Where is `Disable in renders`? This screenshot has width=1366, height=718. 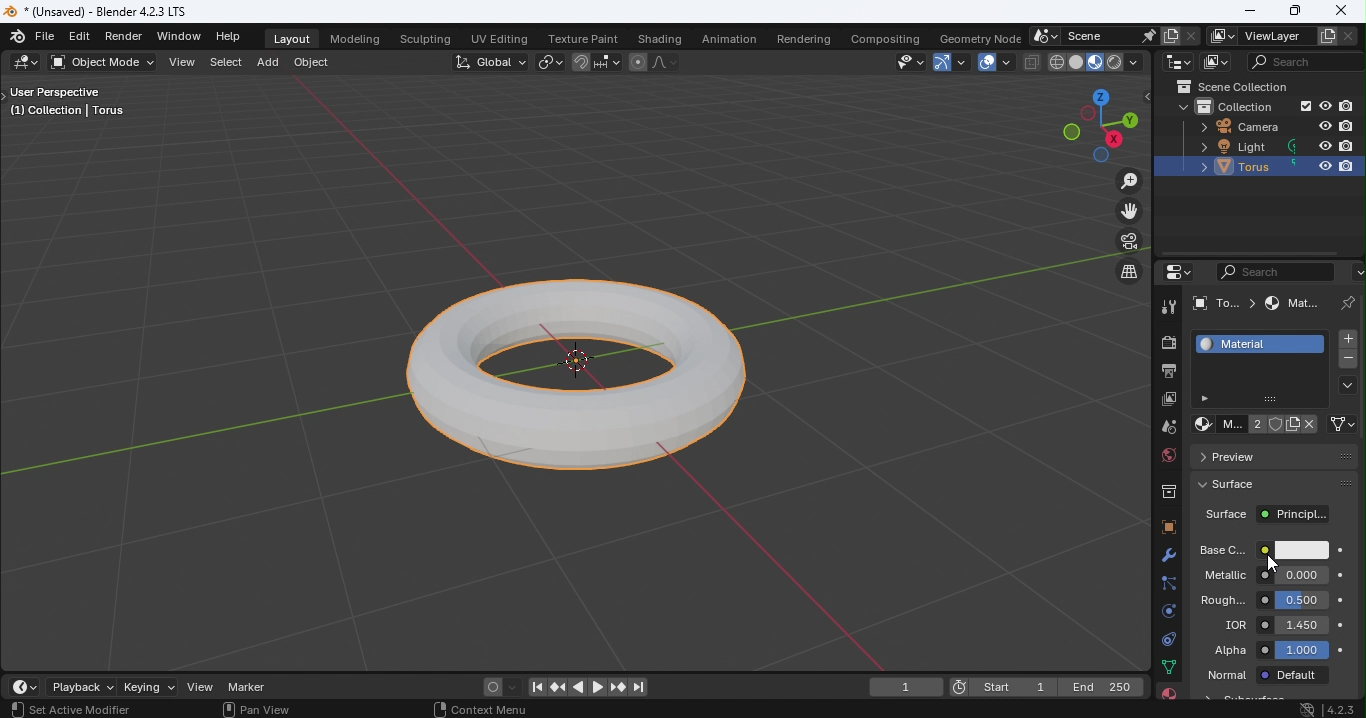 Disable in renders is located at coordinates (1346, 168).